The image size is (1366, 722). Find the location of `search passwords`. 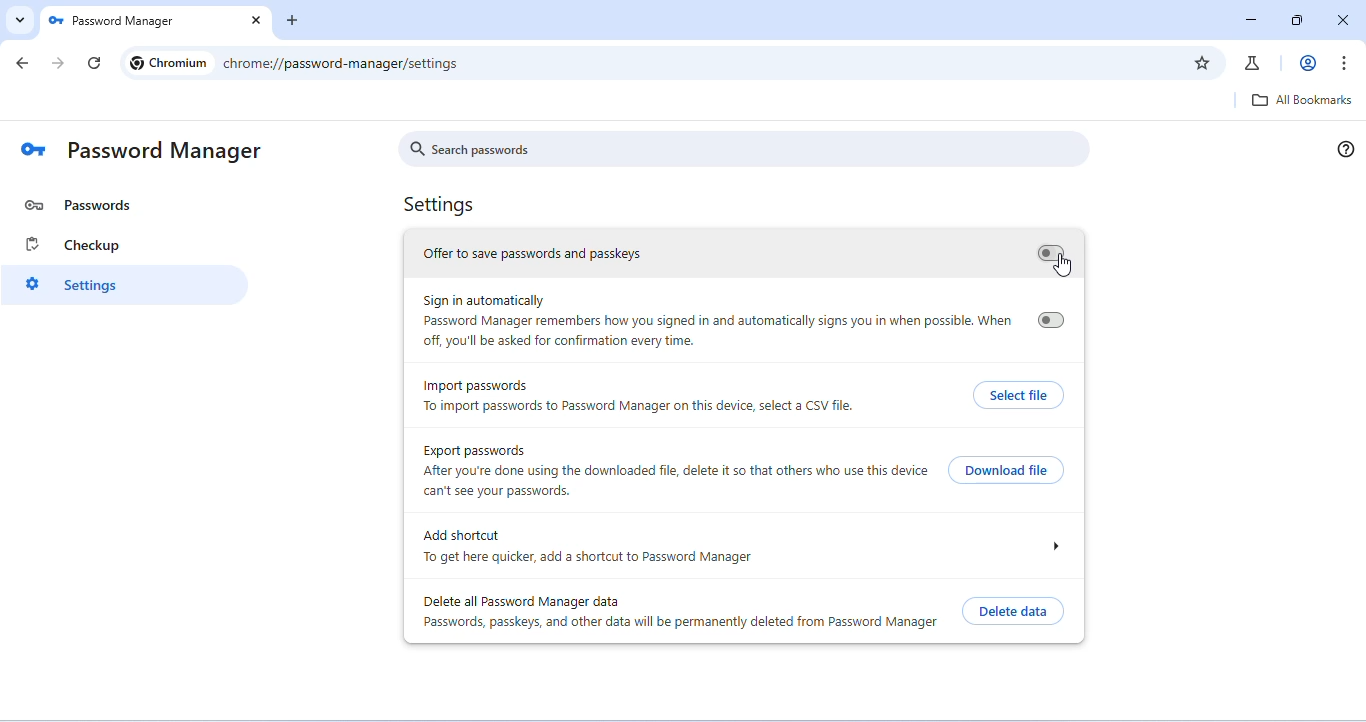

search passwords is located at coordinates (744, 150).